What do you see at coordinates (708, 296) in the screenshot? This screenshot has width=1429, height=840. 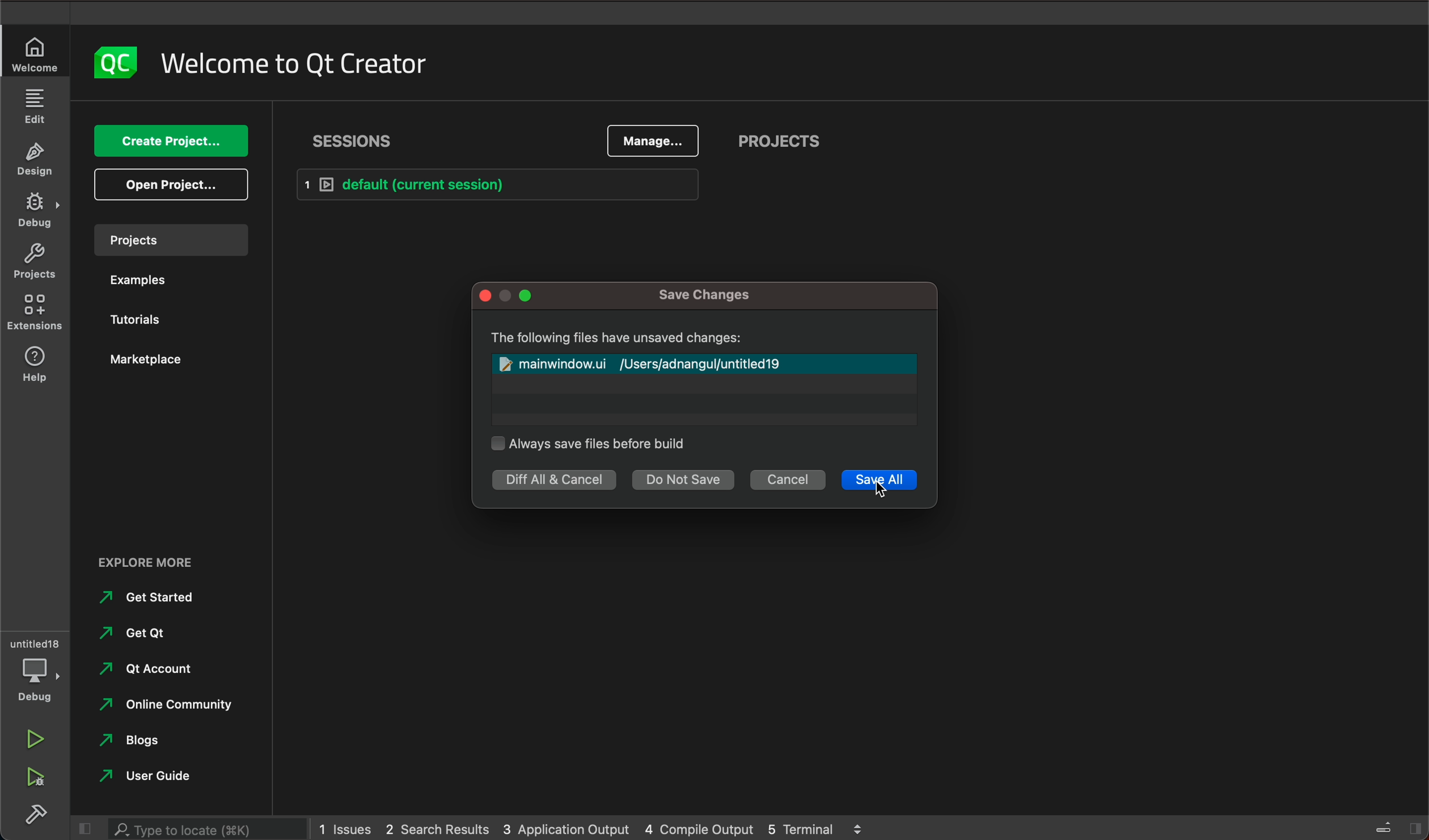 I see `save changes` at bounding box center [708, 296].